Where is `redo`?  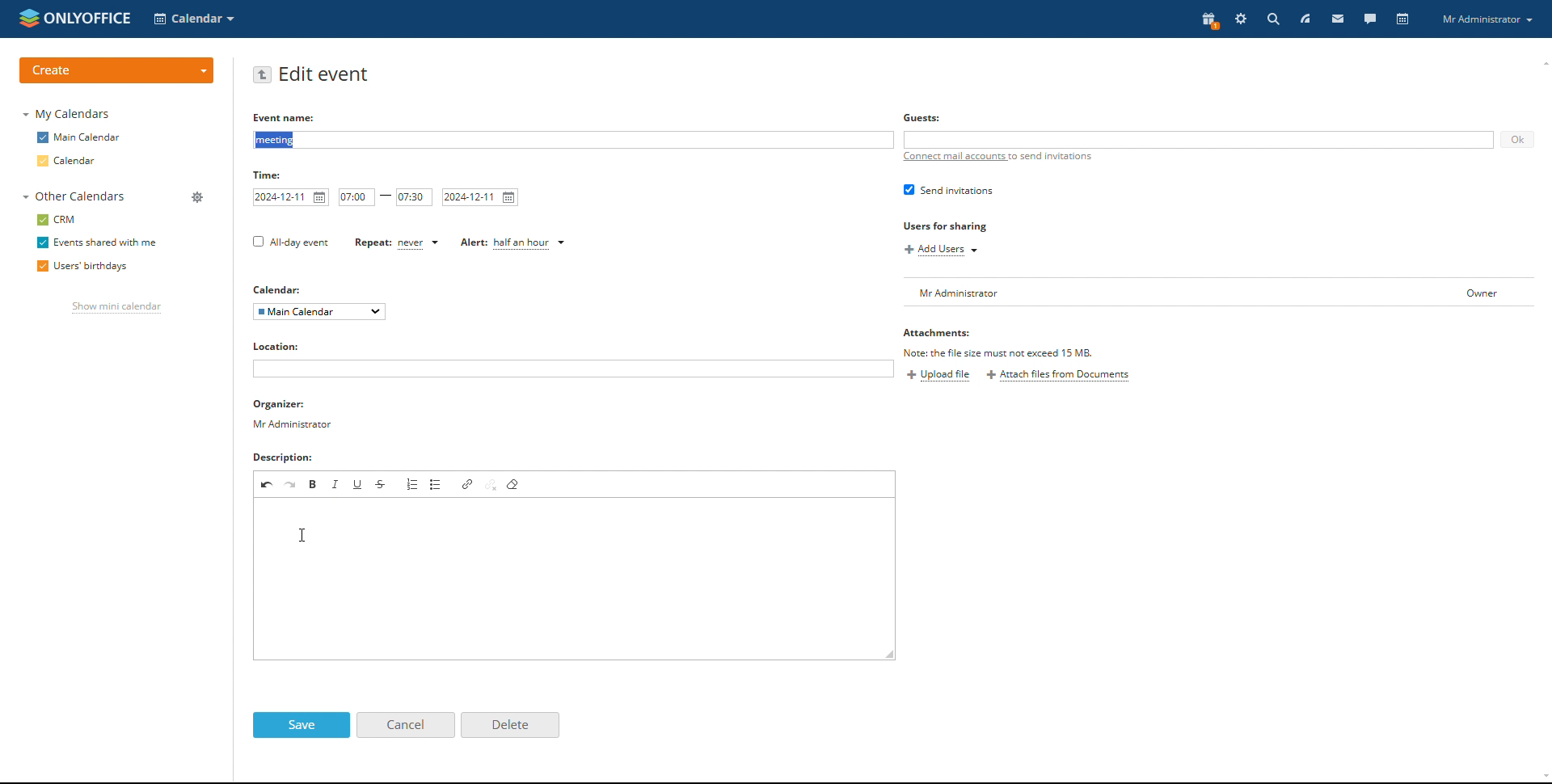 redo is located at coordinates (291, 483).